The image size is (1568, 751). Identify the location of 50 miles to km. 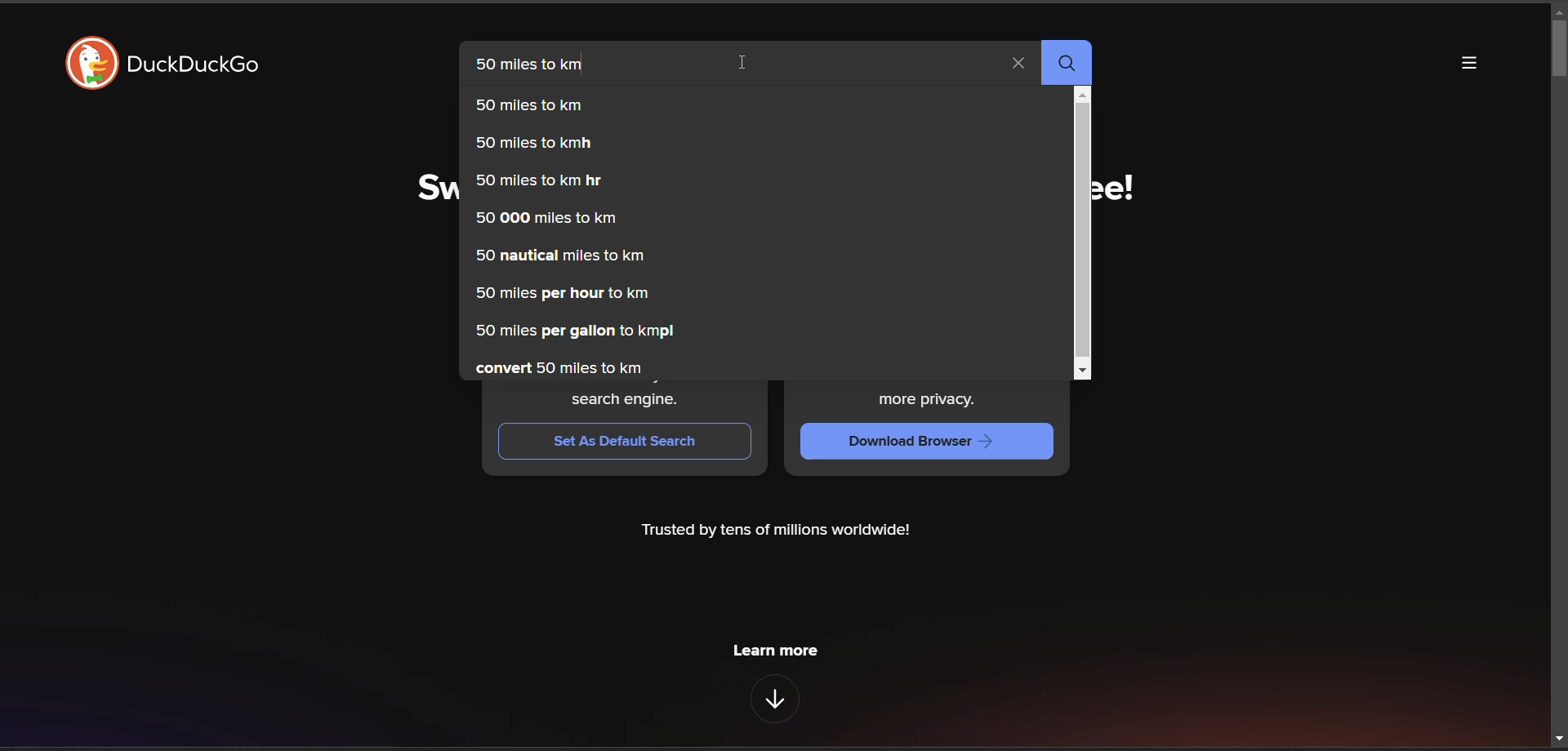
(528, 107).